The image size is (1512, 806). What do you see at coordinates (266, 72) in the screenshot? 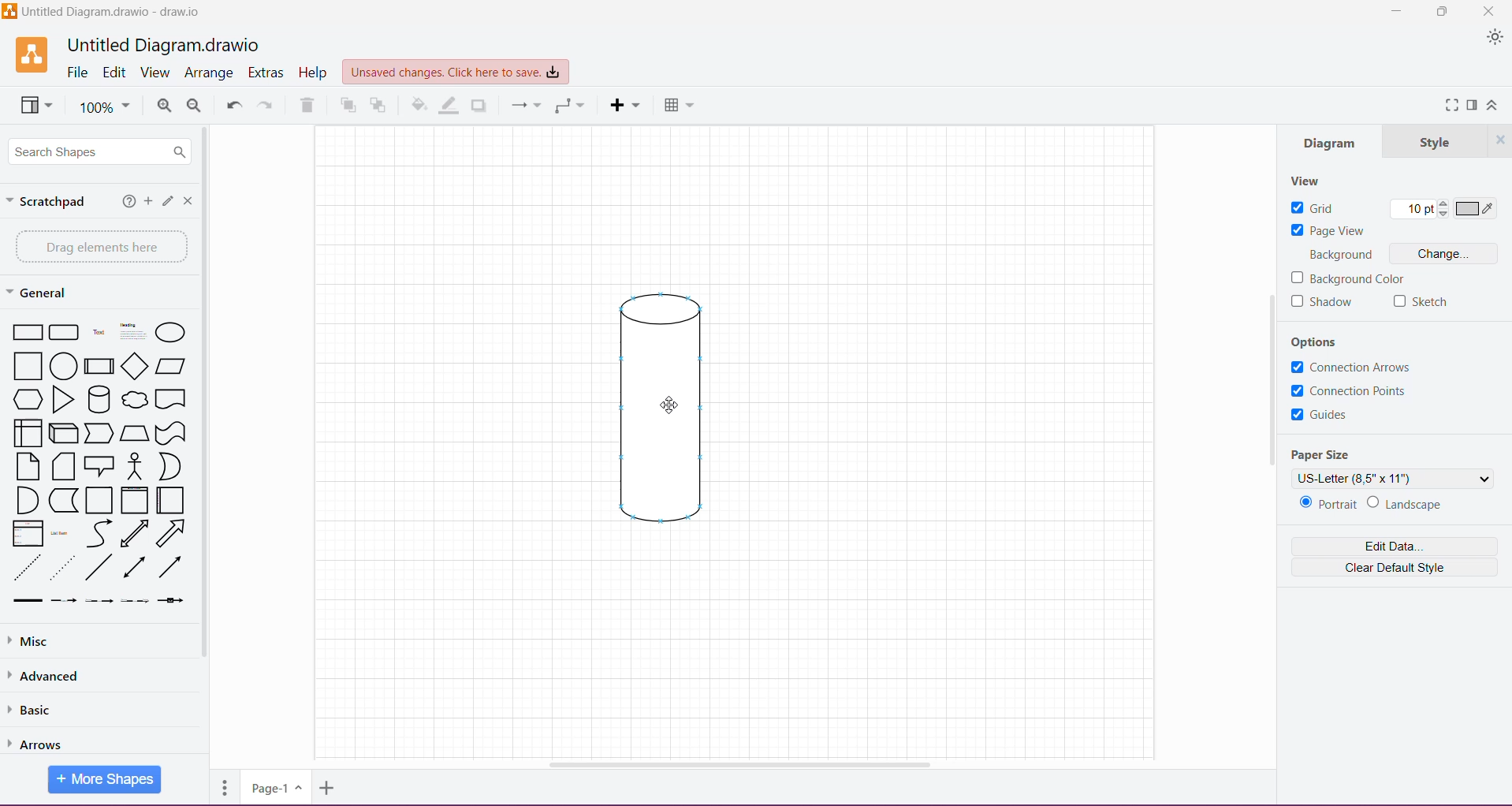
I see `Extras` at bounding box center [266, 72].